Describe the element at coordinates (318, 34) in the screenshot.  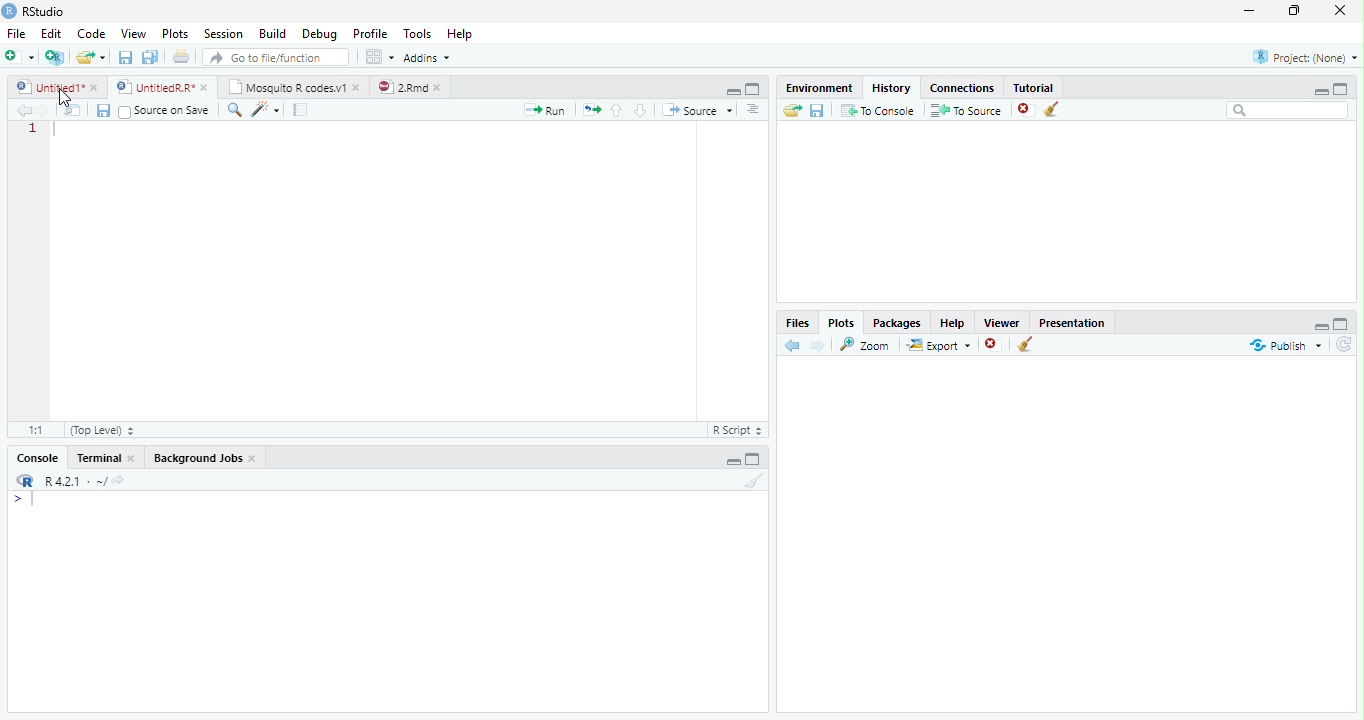
I see `Debug` at that location.